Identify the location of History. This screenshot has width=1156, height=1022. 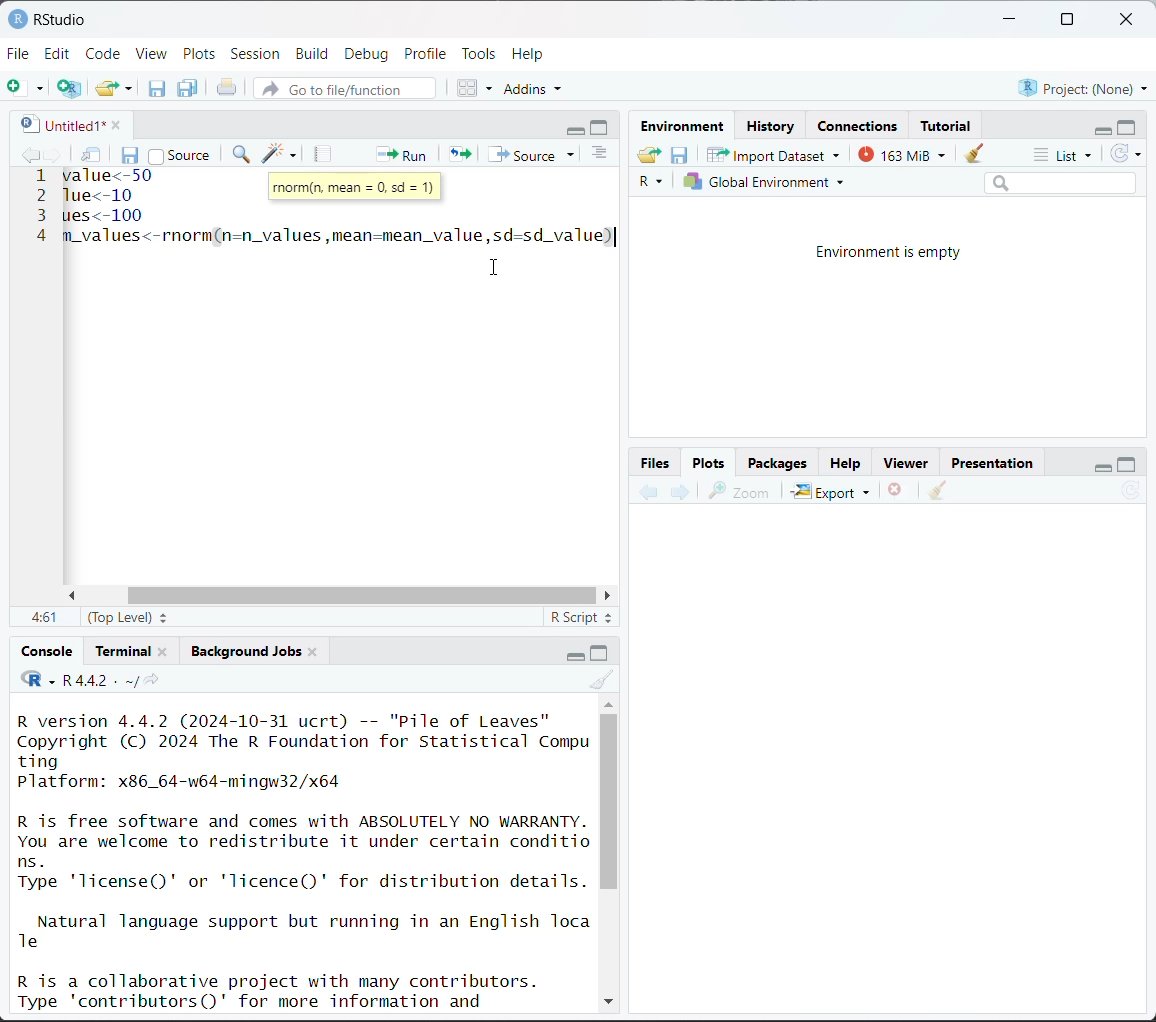
(772, 126).